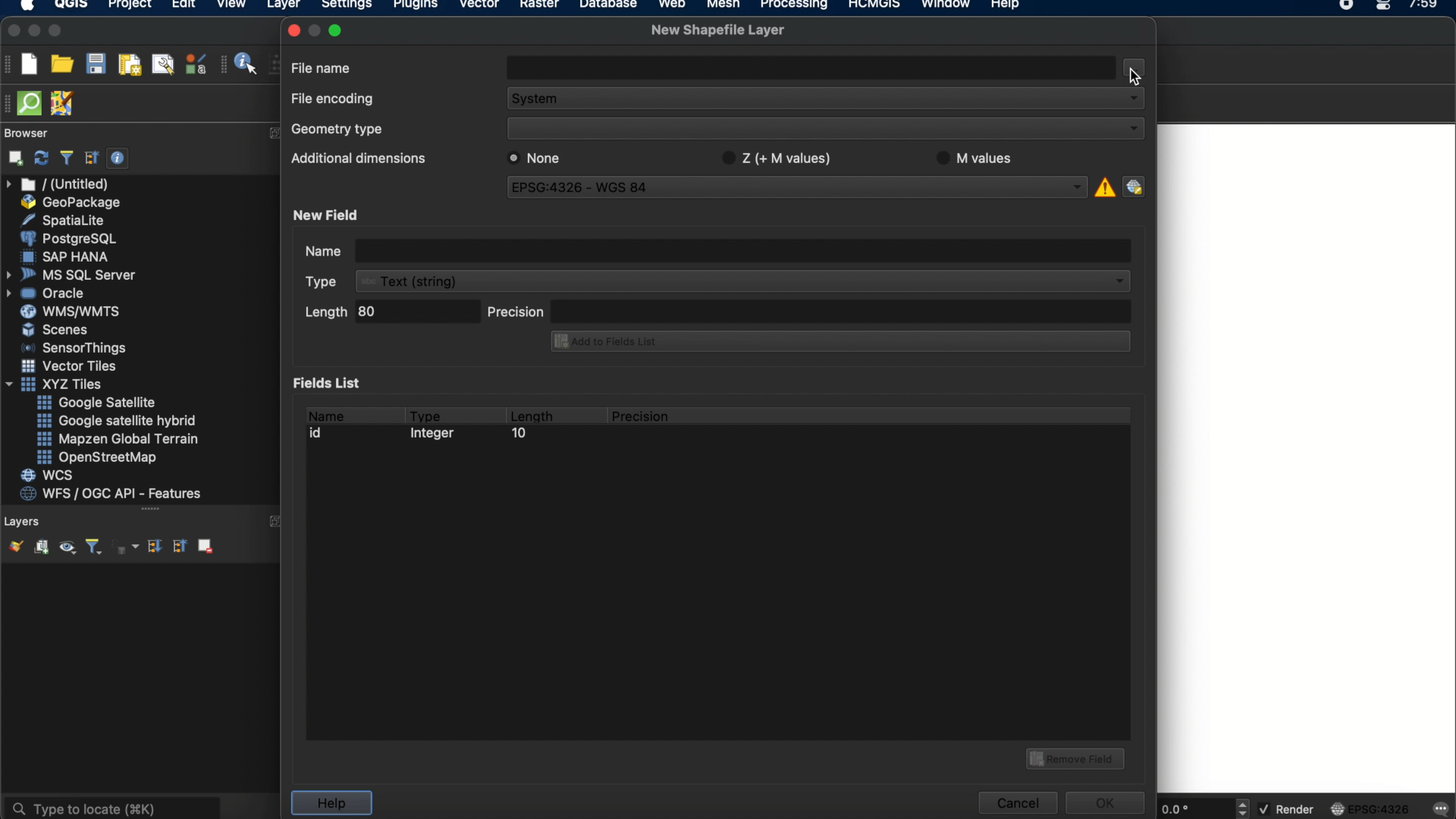 This screenshot has height=819, width=1456. I want to click on style manager, so click(196, 64).